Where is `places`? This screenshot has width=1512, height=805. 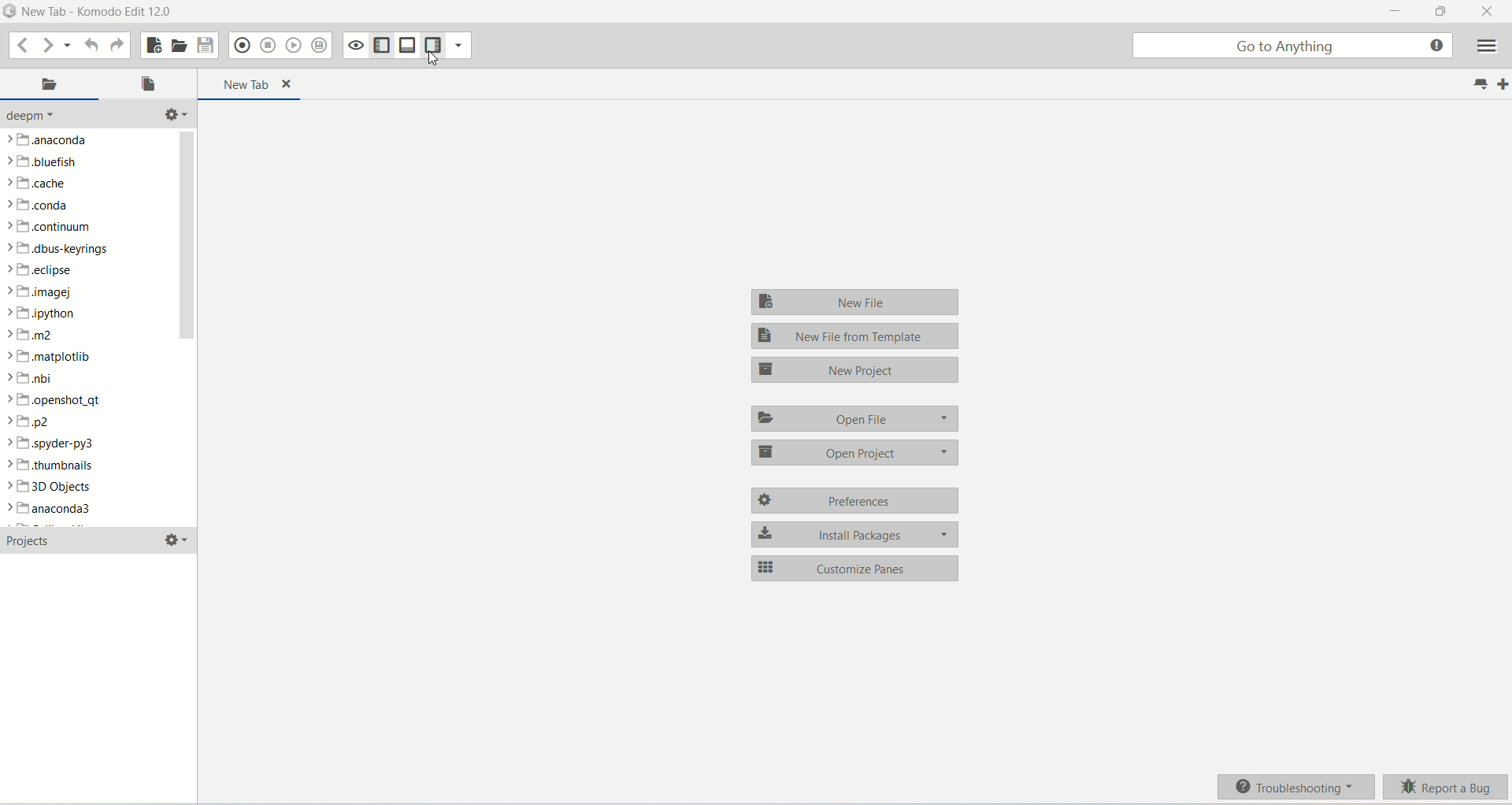 places is located at coordinates (50, 86).